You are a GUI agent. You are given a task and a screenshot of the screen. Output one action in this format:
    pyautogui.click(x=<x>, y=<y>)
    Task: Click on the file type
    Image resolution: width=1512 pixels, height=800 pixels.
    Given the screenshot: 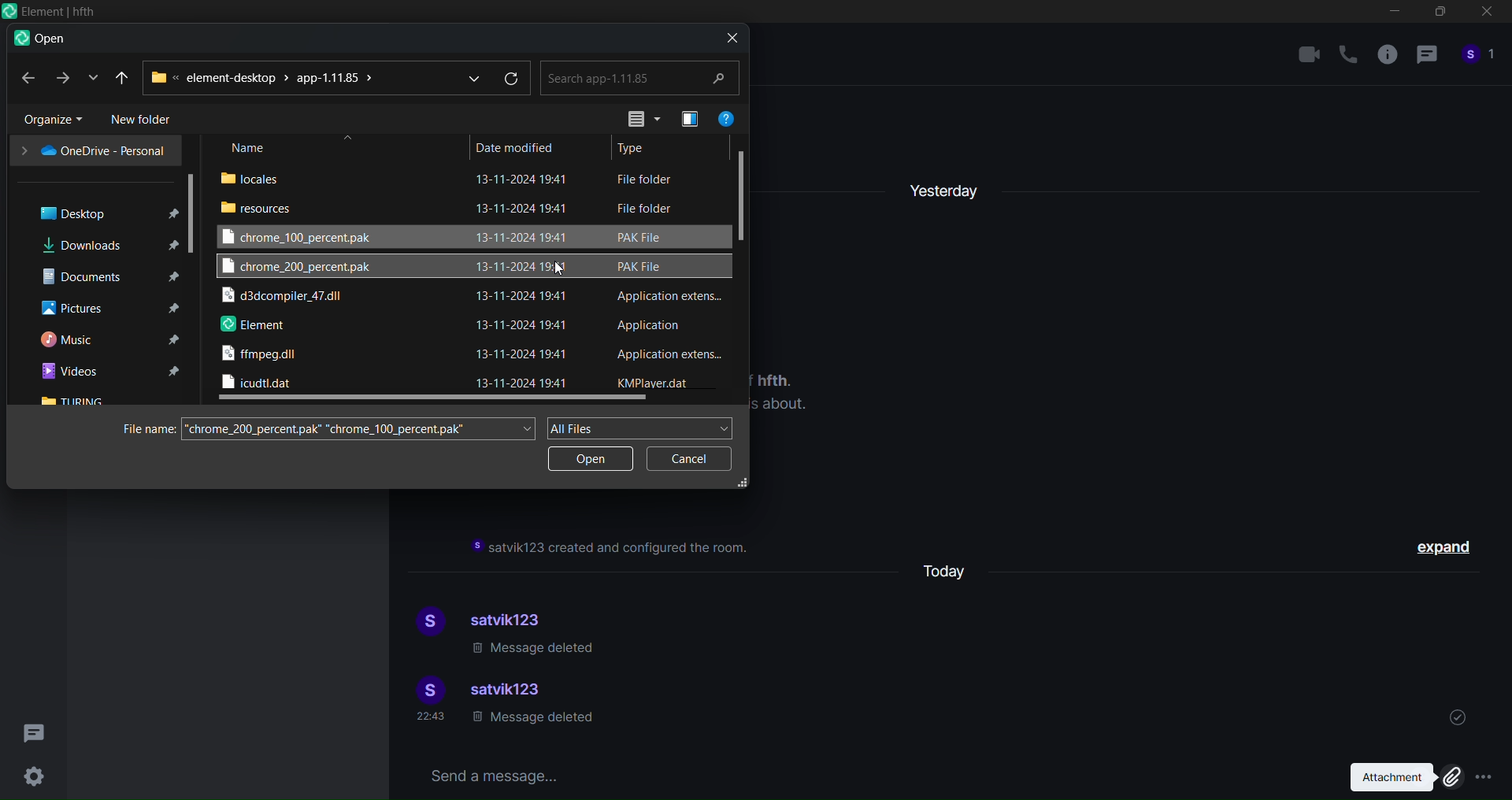 What is the action you would take?
    pyautogui.click(x=668, y=280)
    